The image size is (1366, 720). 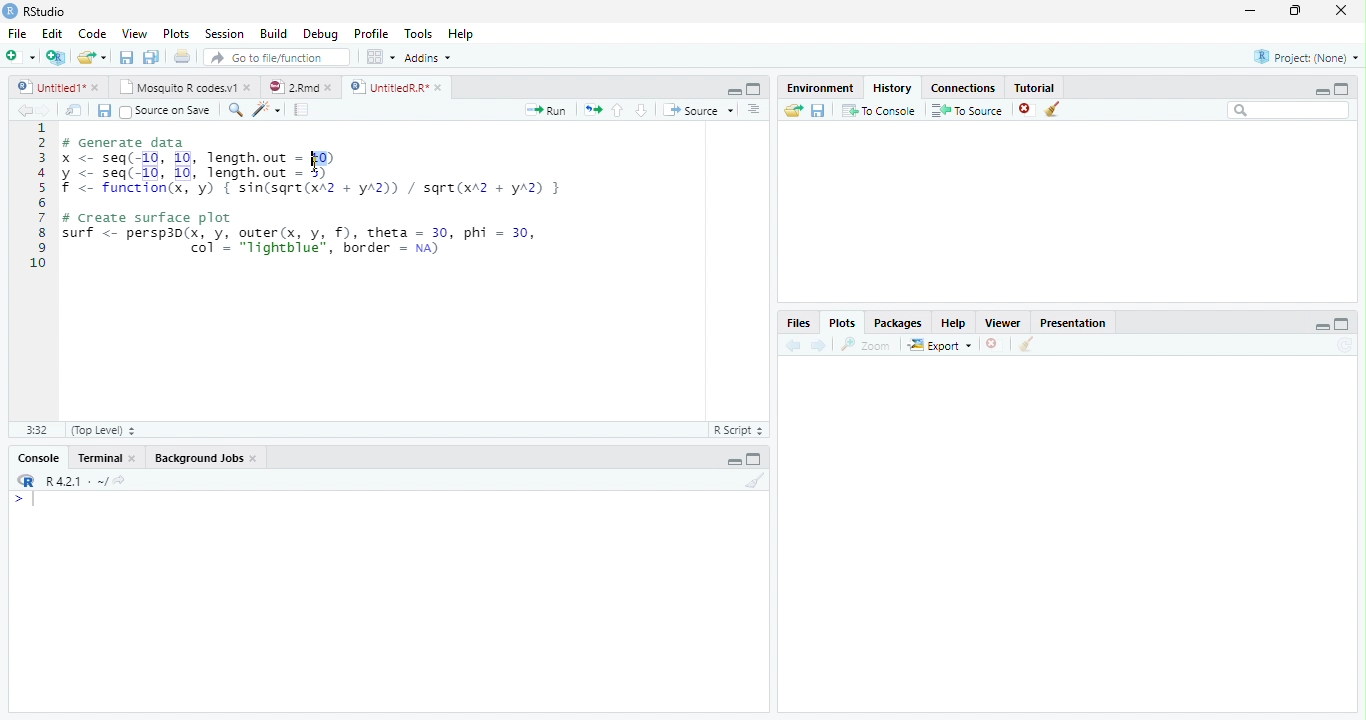 I want to click on Remove the selected history entries, so click(x=1026, y=110).